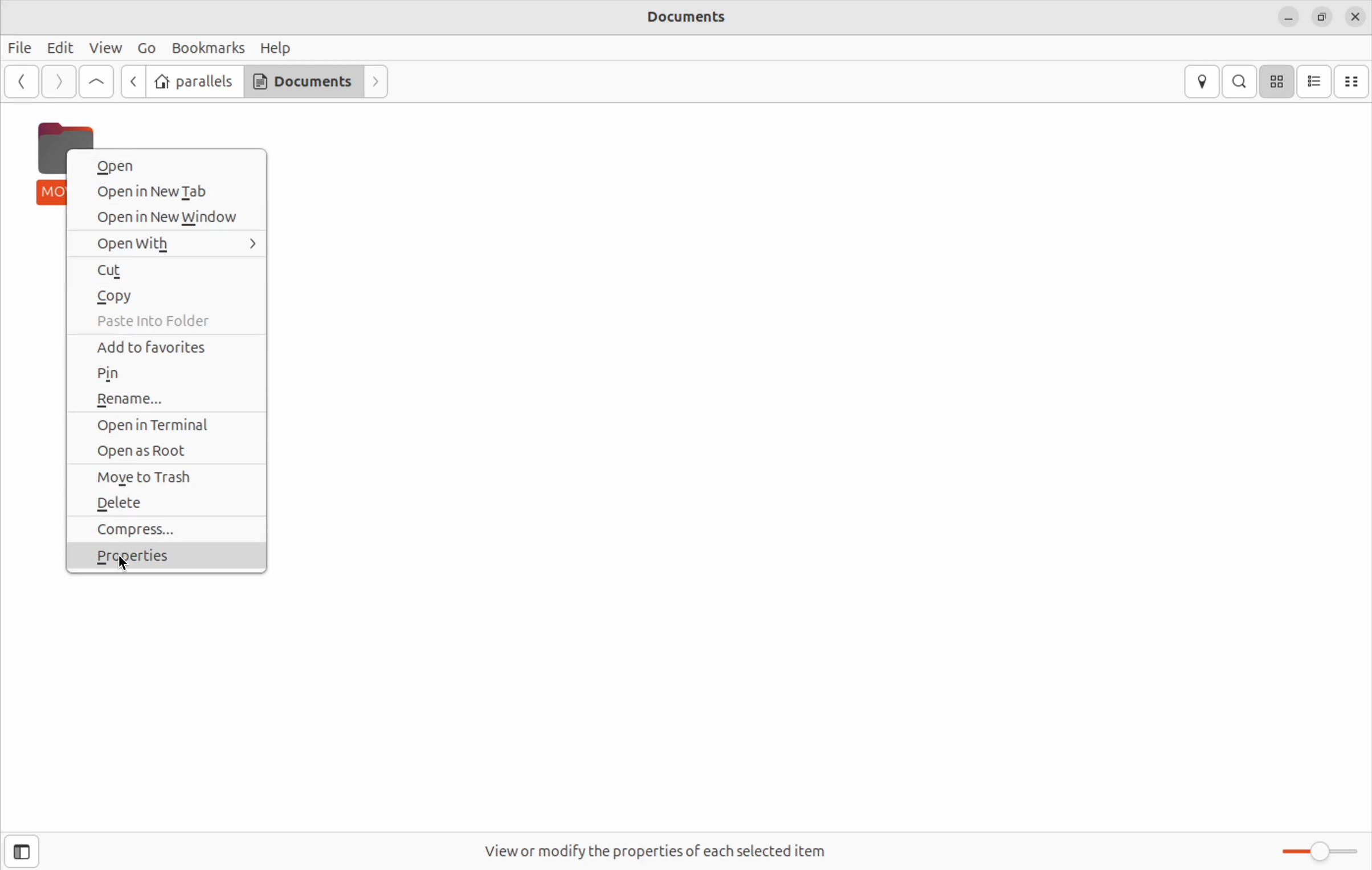  Describe the element at coordinates (120, 567) in the screenshot. I see `Cursor` at that location.